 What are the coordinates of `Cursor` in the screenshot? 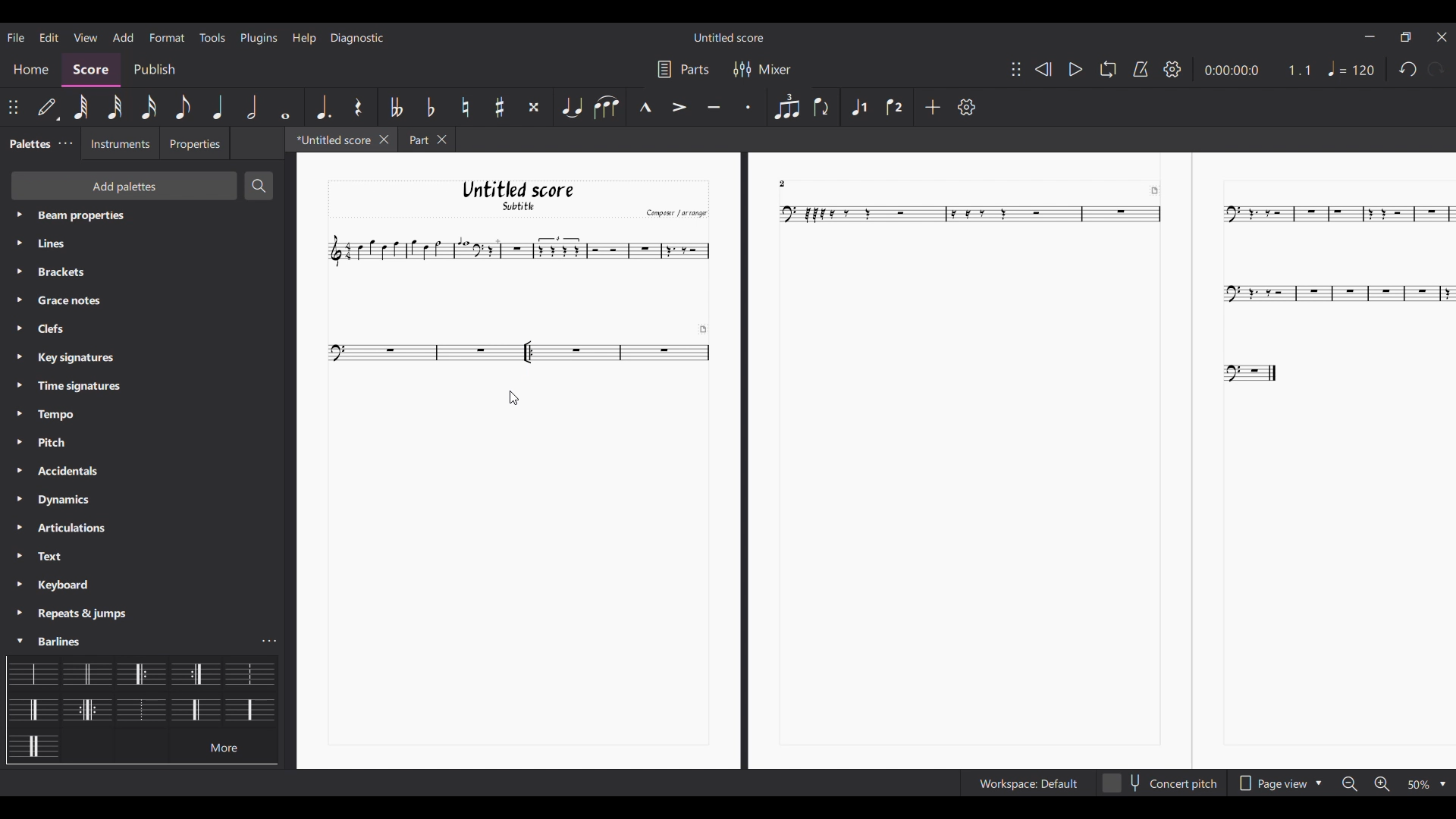 It's located at (514, 398).